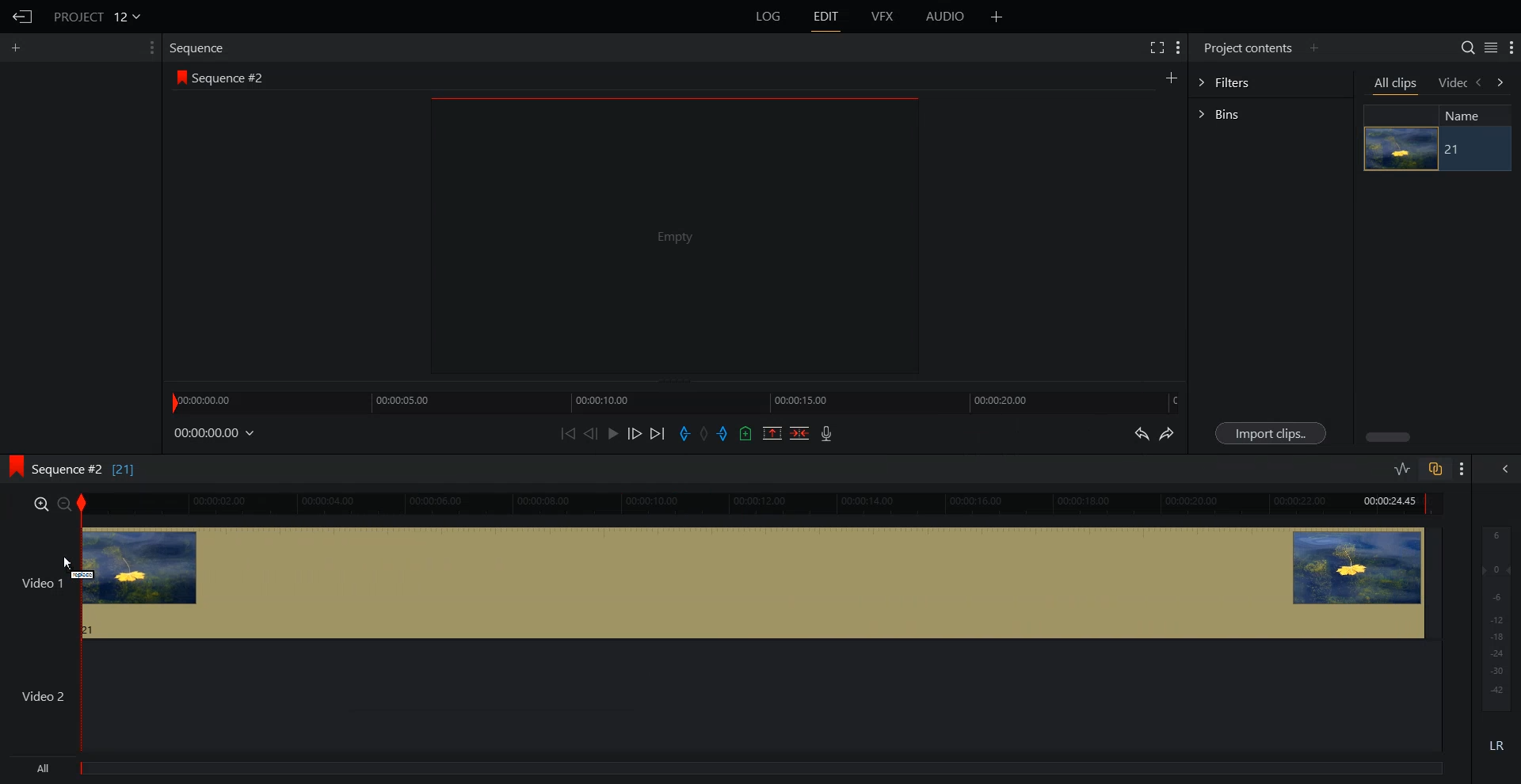  Describe the element at coordinates (723, 698) in the screenshot. I see `Video 2` at that location.